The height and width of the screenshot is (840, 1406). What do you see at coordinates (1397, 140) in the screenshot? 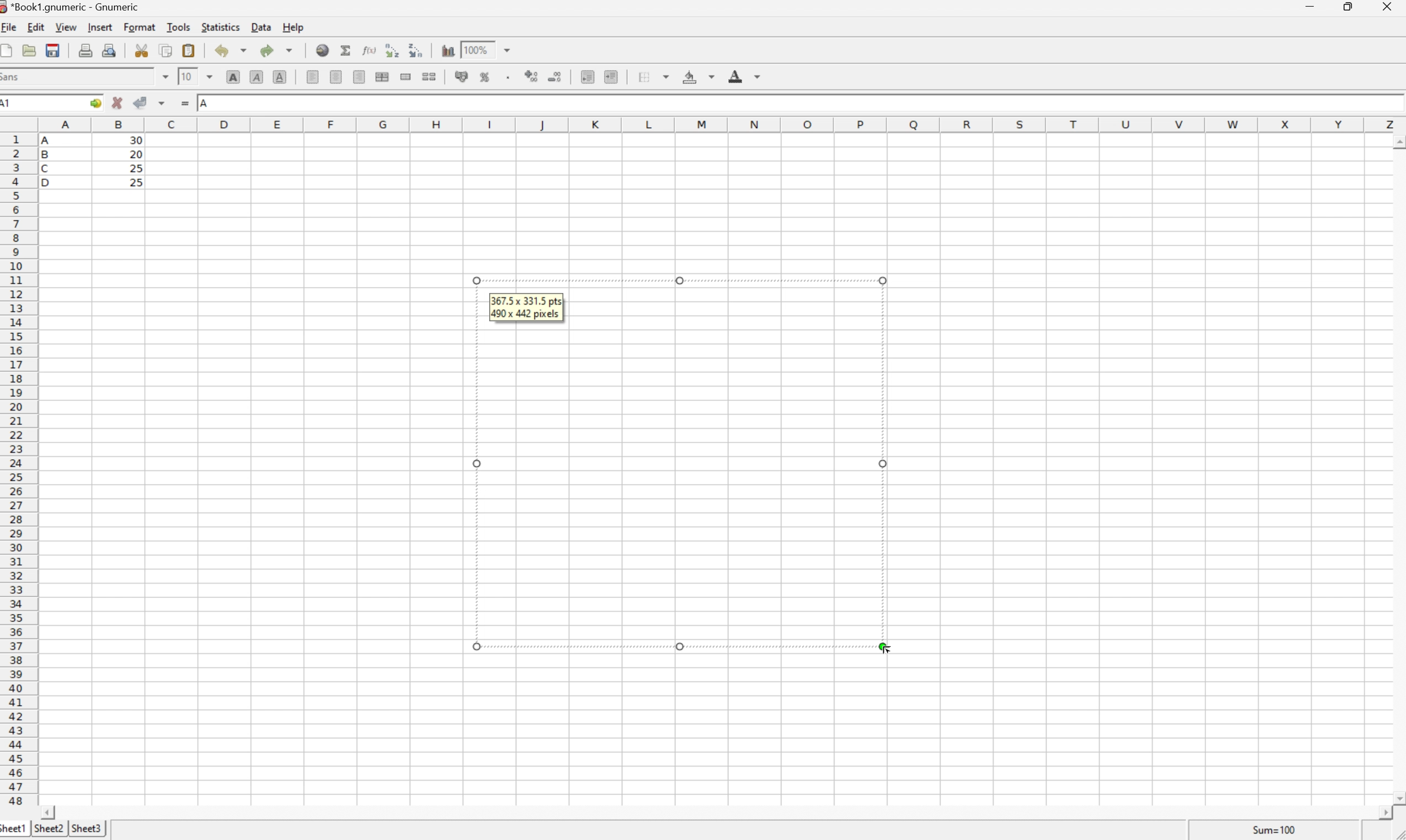
I see `Scroll Up` at bounding box center [1397, 140].